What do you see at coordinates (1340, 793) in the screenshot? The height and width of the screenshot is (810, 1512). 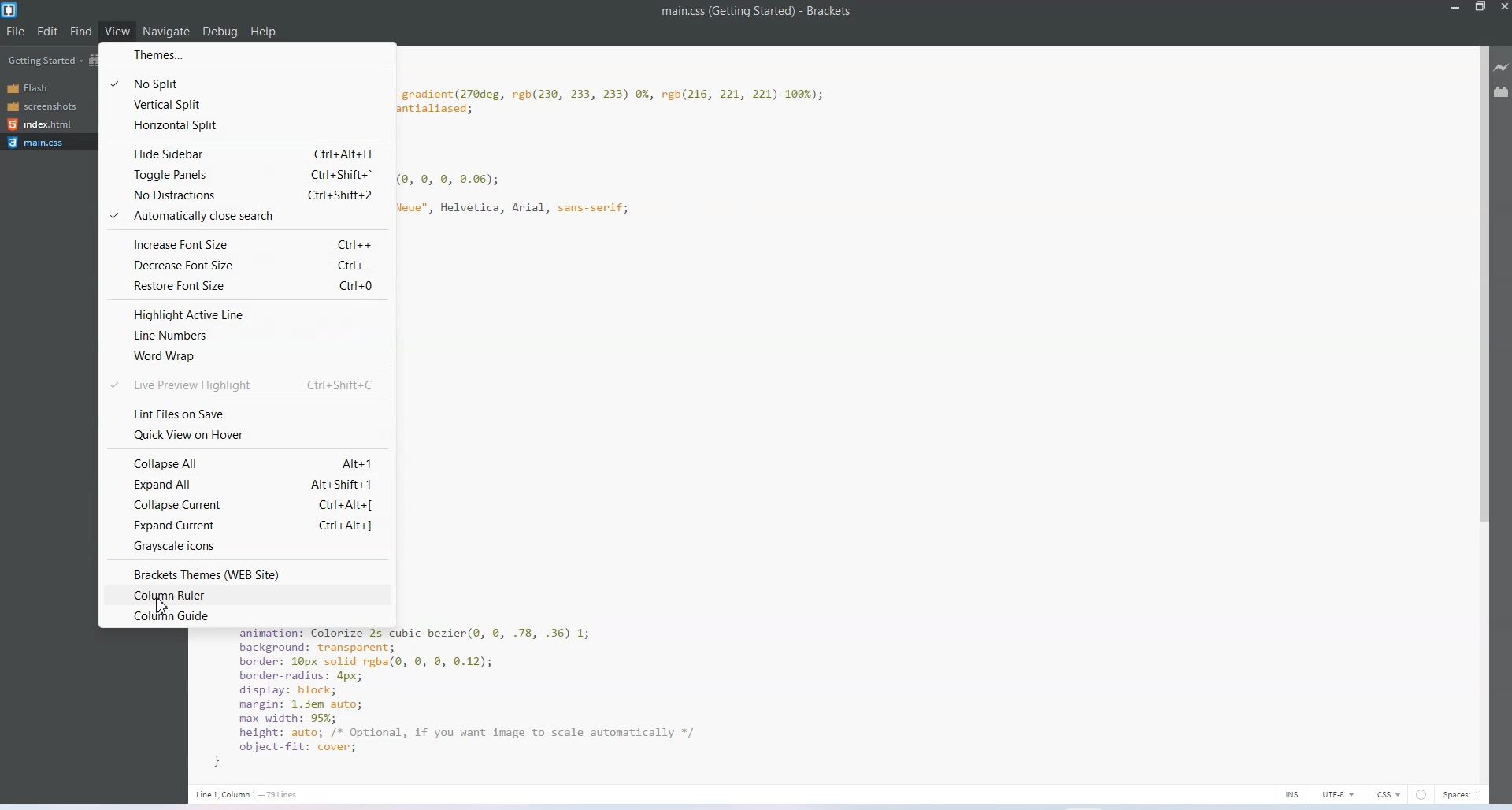 I see `UTF-8` at bounding box center [1340, 793].